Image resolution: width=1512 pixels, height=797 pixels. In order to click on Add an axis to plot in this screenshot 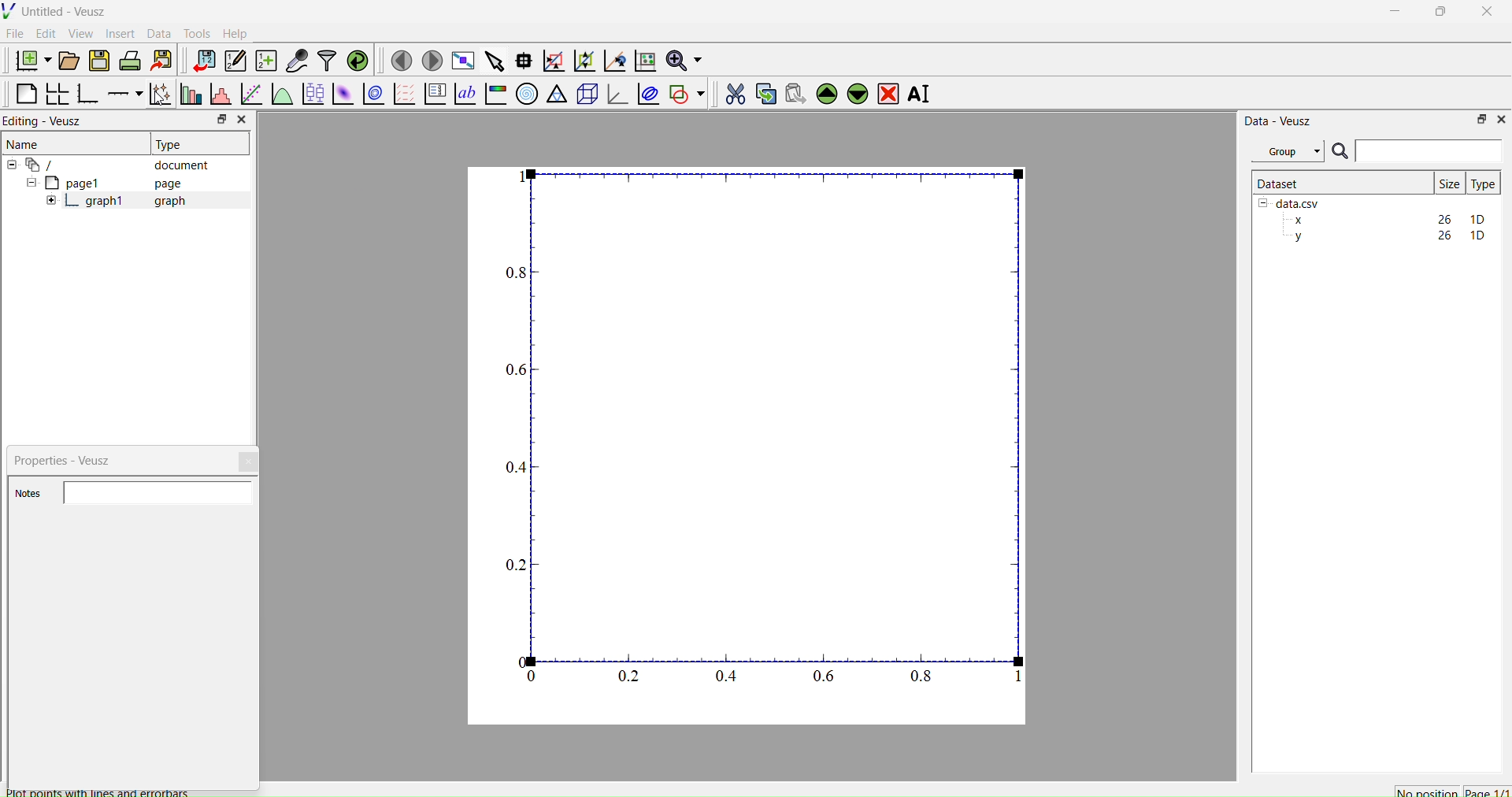, I will do `click(120, 92)`.